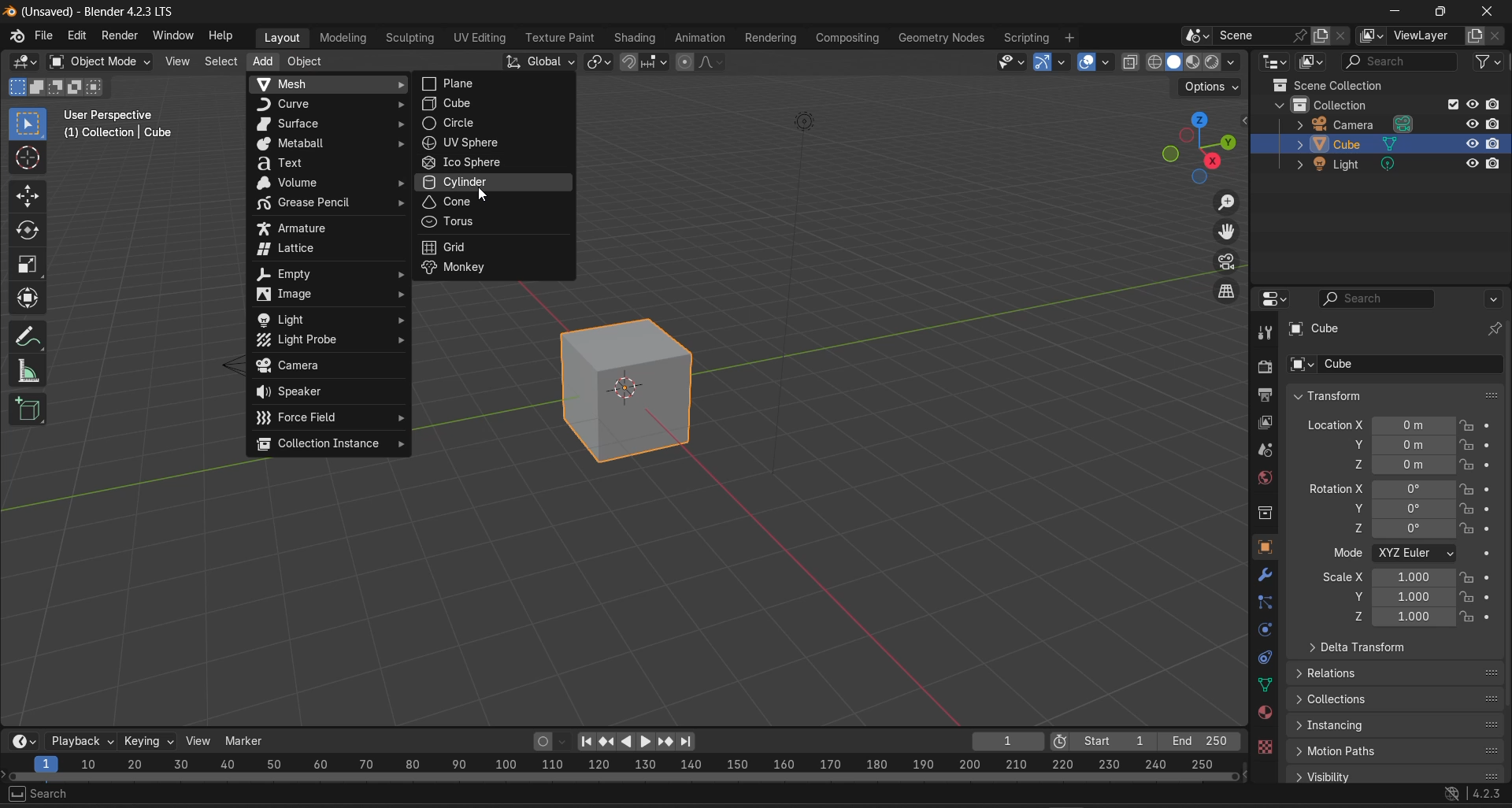  I want to click on disable in renders, so click(1495, 143).